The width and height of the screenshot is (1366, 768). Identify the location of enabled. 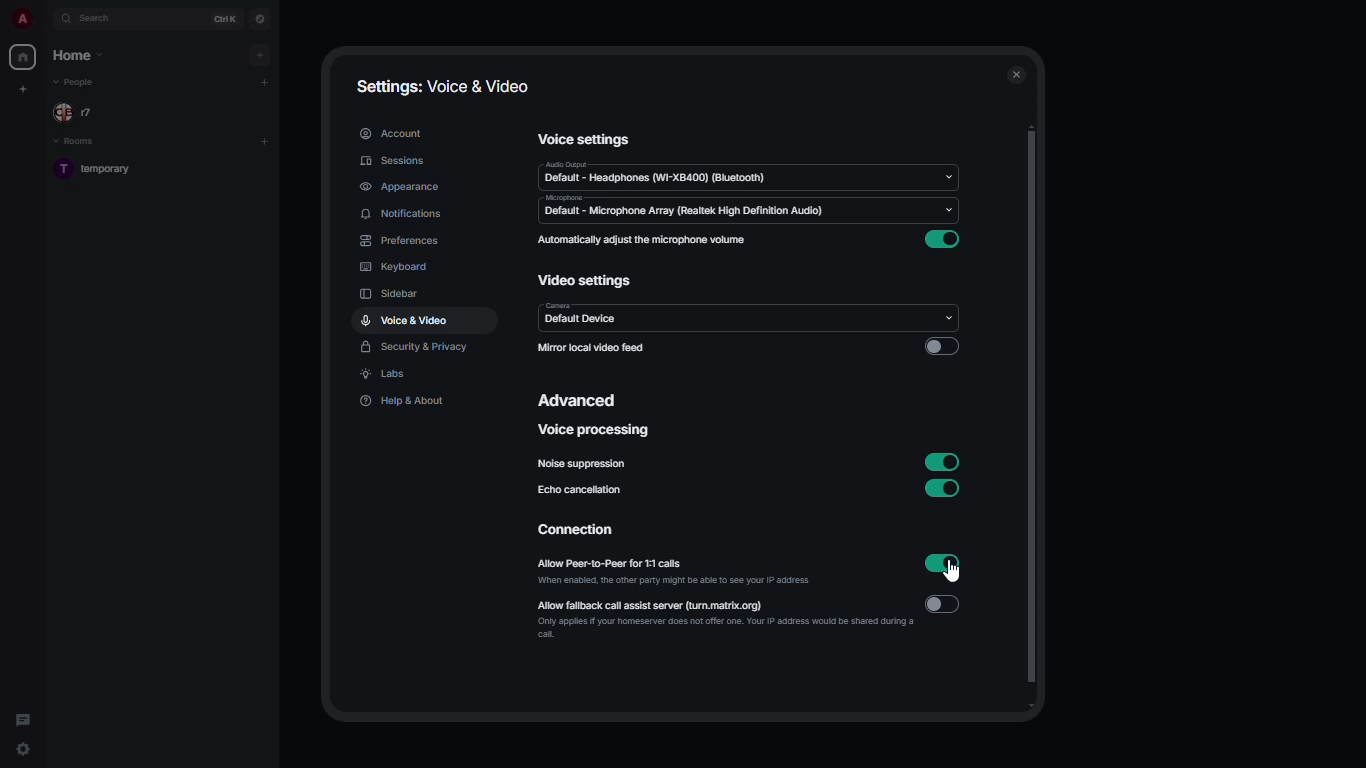
(945, 239).